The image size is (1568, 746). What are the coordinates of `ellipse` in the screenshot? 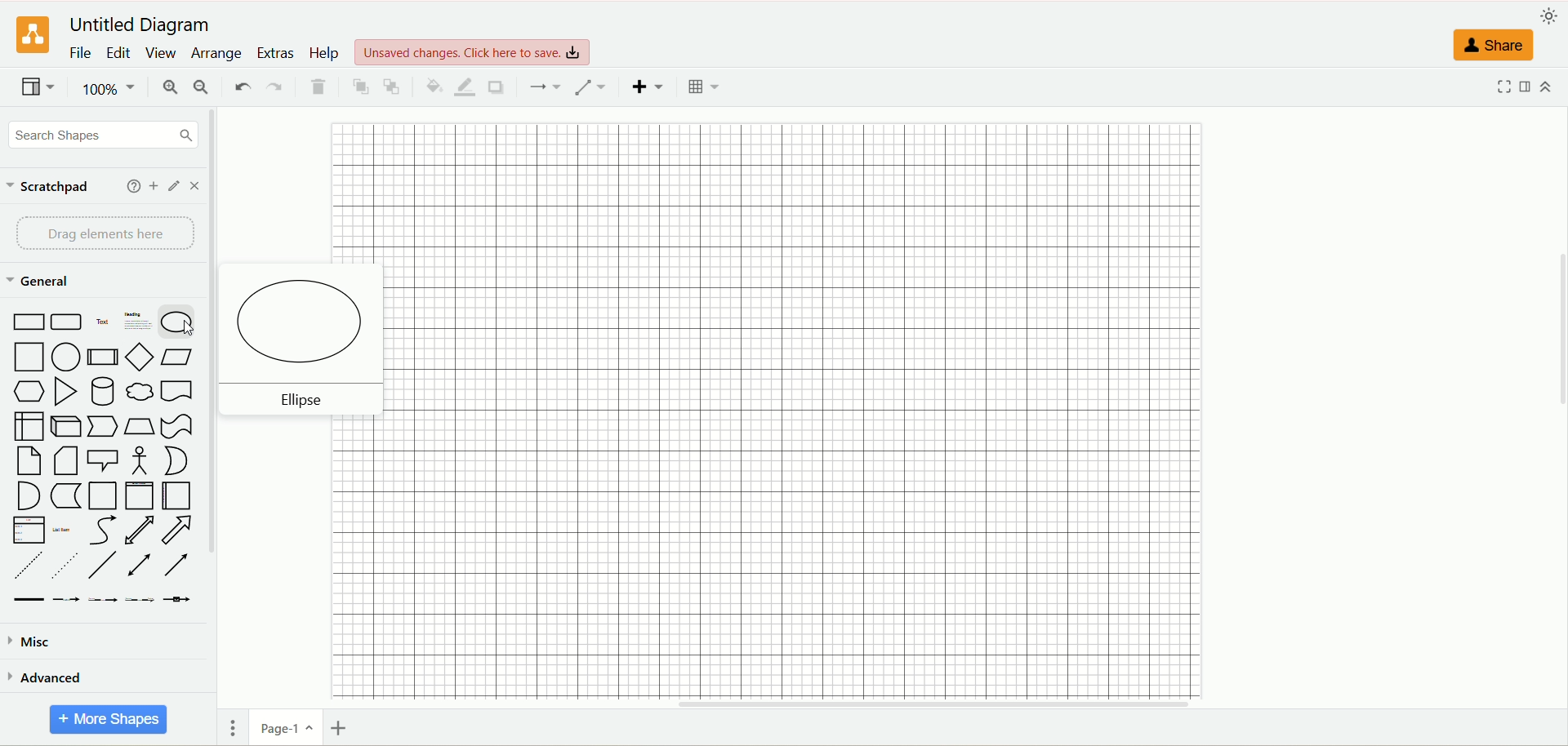 It's located at (308, 321).